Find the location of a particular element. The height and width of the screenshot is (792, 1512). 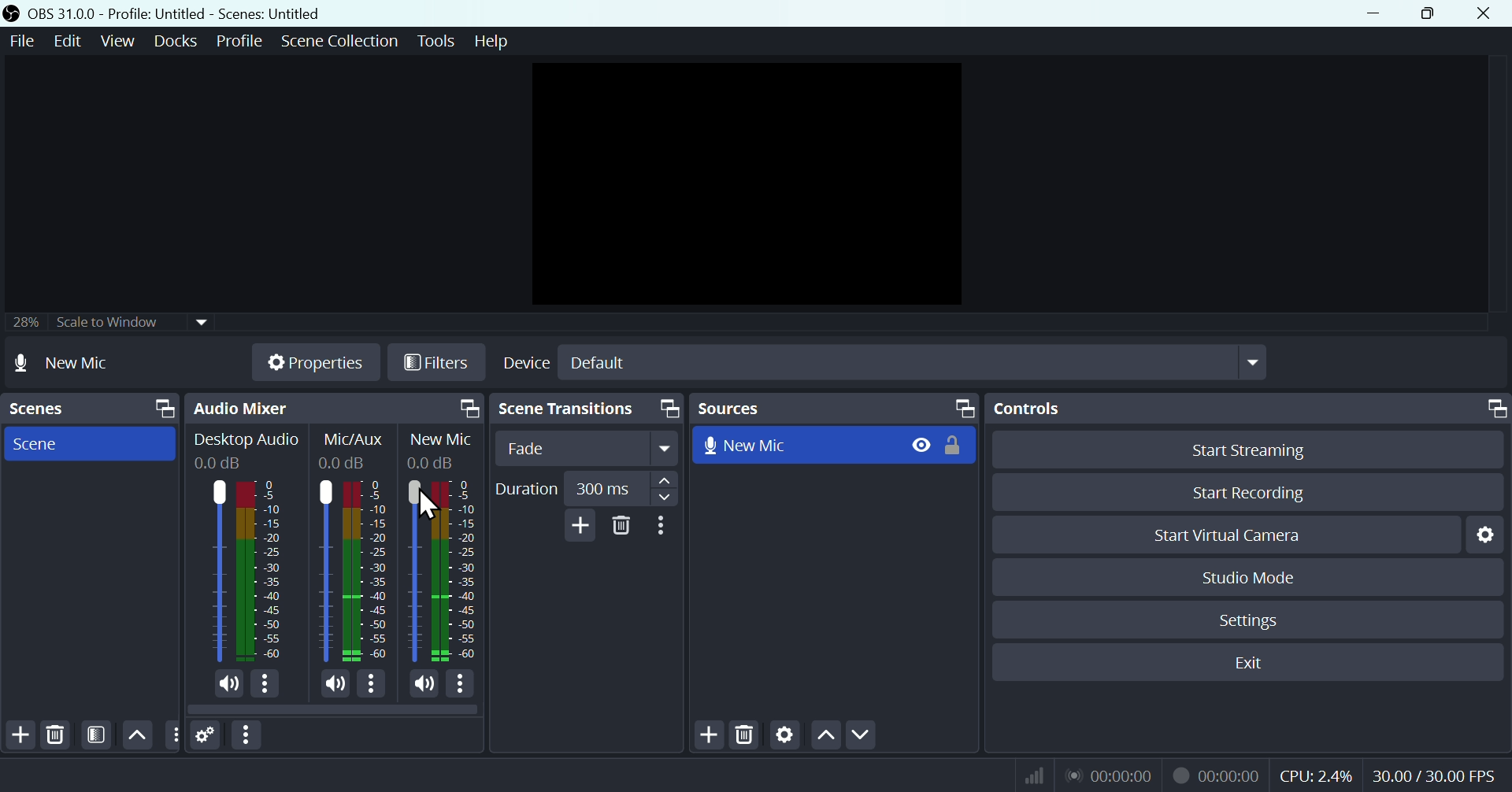

Frame Per Second is located at coordinates (1434, 777).